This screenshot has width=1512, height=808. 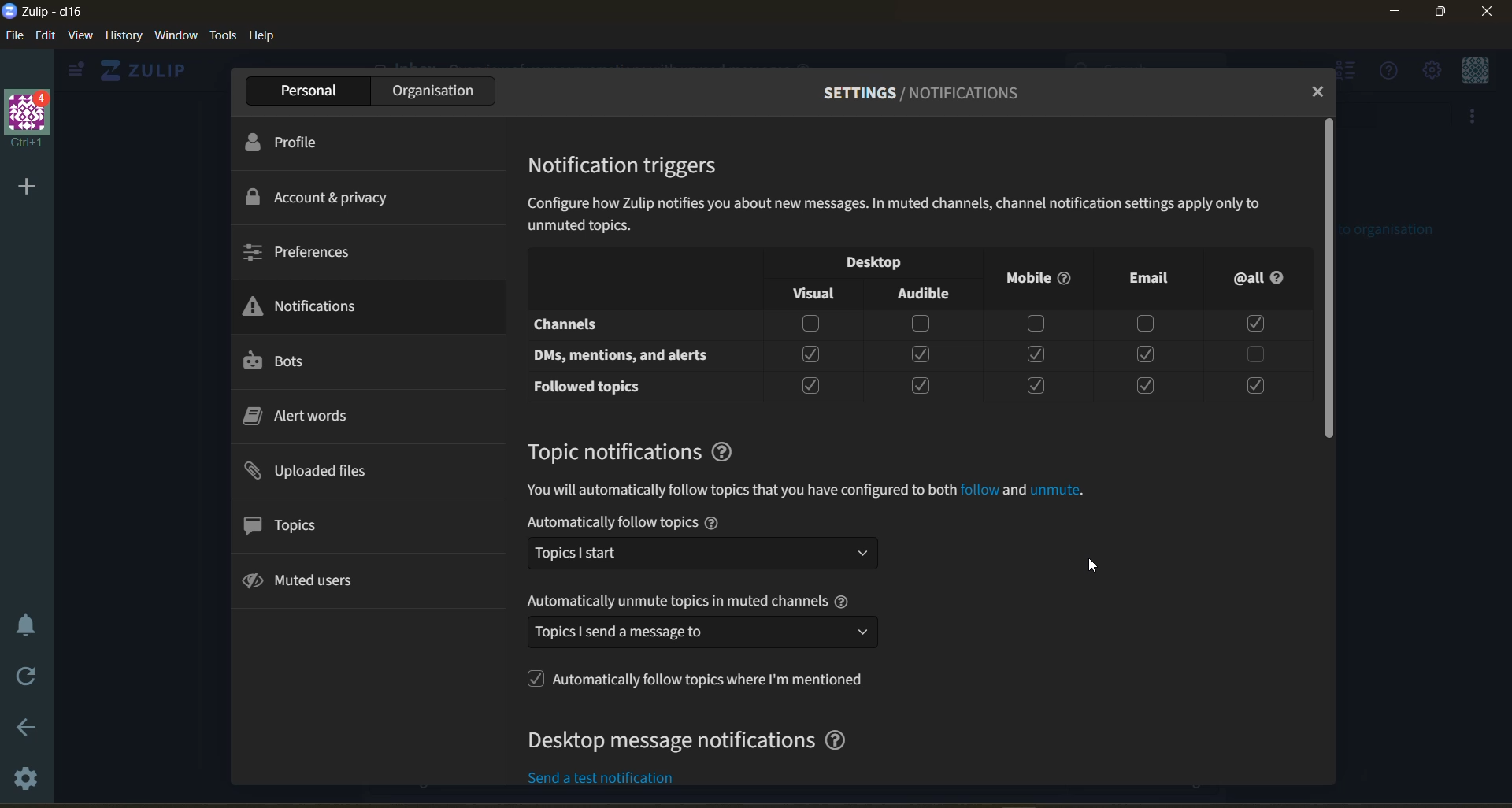 I want to click on Channels, so click(x=567, y=323).